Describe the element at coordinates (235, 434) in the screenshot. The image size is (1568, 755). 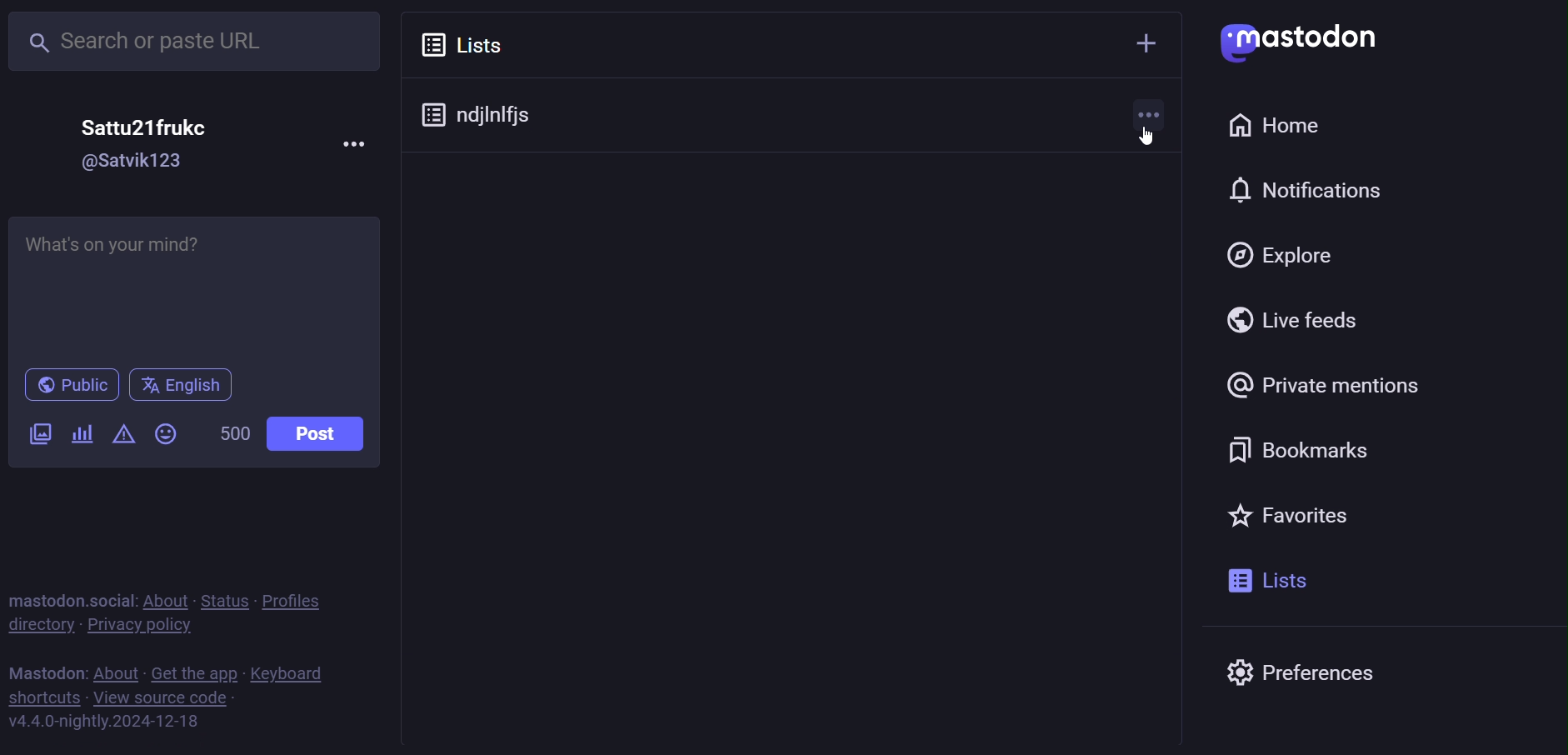
I see `500` at that location.